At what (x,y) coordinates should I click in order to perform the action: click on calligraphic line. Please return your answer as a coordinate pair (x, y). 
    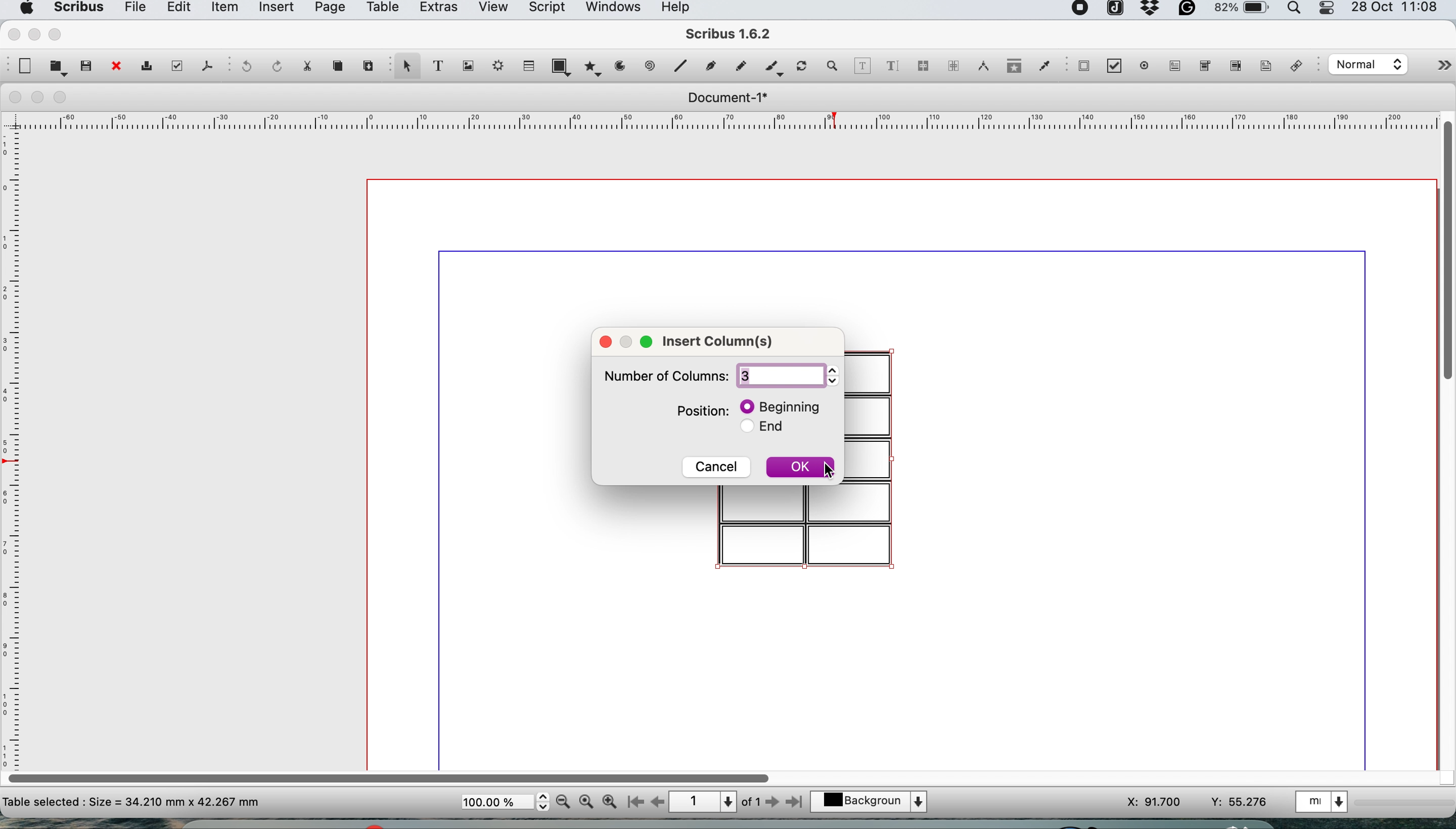
    Looking at the image, I should click on (772, 69).